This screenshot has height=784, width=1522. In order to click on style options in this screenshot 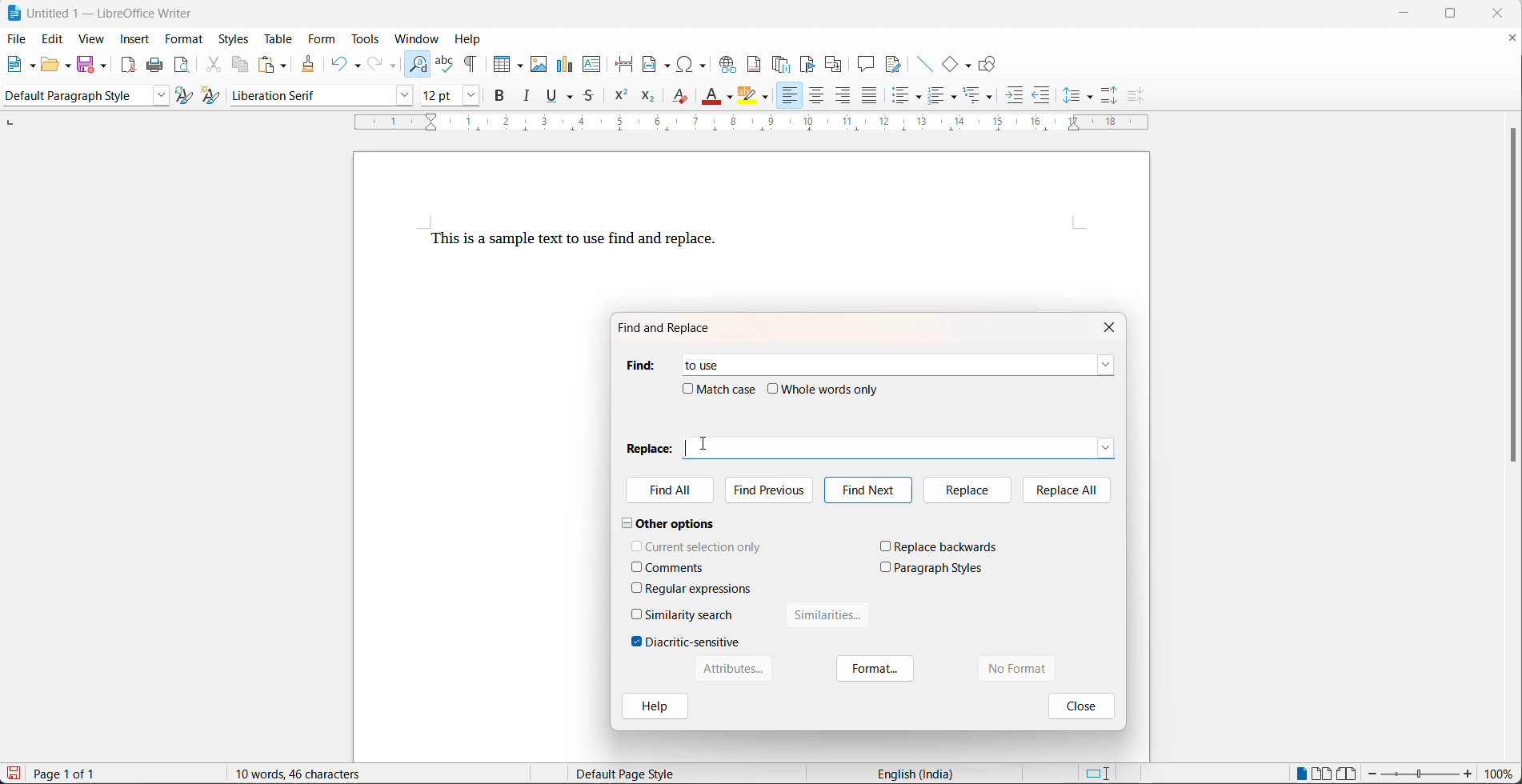, I will do `click(157, 96)`.